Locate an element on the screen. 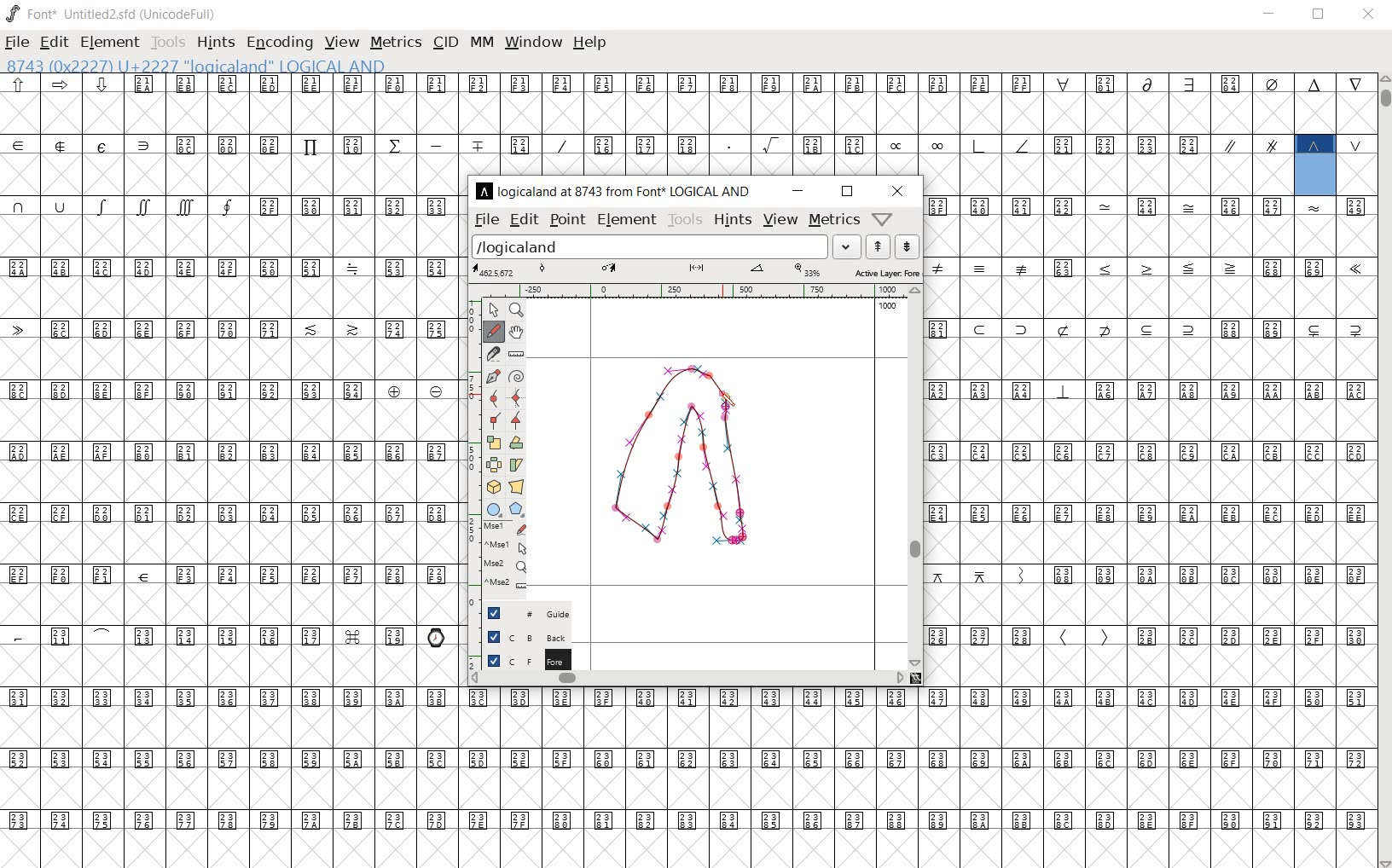 Image resolution: width=1392 pixels, height=868 pixels. minimize is located at coordinates (1272, 15).